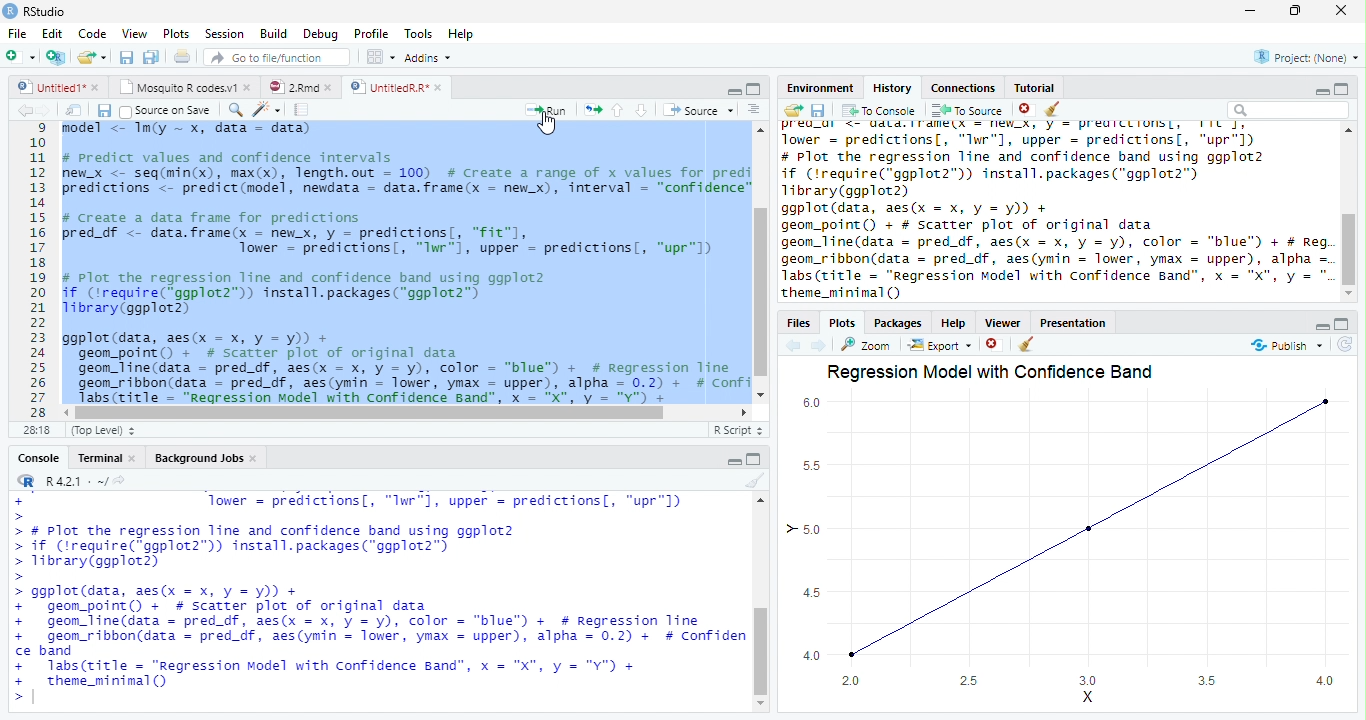 Image resolution: width=1366 pixels, height=720 pixels. Describe the element at coordinates (377, 614) in the screenshot. I see `> # Plot the regression line and confidence band using ggplot2

> if (trequire("ggplot2")) install. packages("ggplot2")

> library(ggplot2)

>

> ggplot(data, aes(x = x, y = y)) +

+ geom_point() + # scatter plot of original data

+ geom_line(data = pred_df, aes(x = x, y = y), color = "blue") + # Regression line
+ geon_ribbon(data = pred_df, aes(ymin = lower, ynax = upper), alpha = 0.2) + # Confide
ce band

+ labs(title = "Regression vodel with confidence Band”, x = "X", y = "¥") +

+  theme_minimal()

>` at that location.